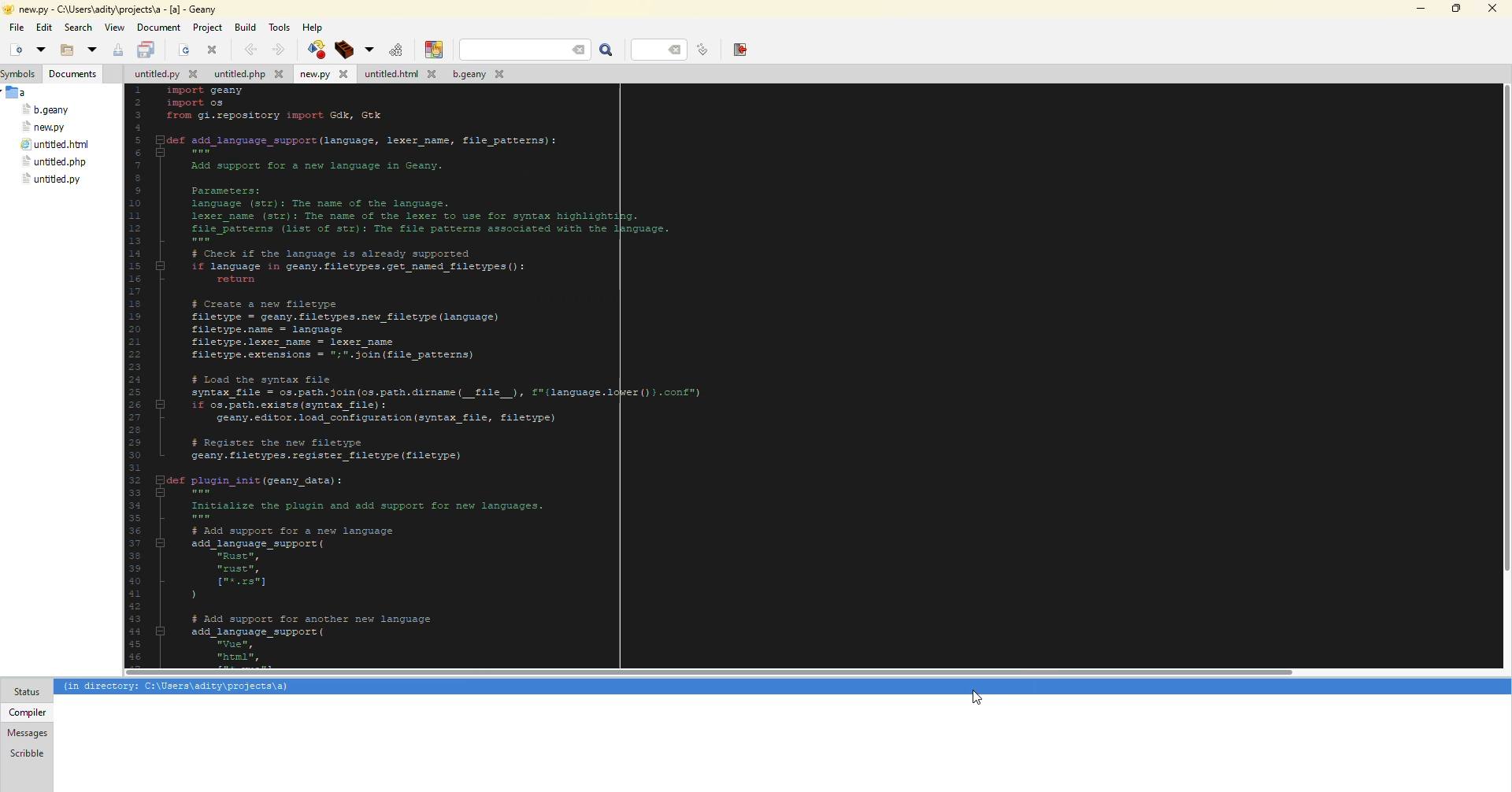 The height and width of the screenshot is (792, 1512). I want to click on file, so click(164, 76).